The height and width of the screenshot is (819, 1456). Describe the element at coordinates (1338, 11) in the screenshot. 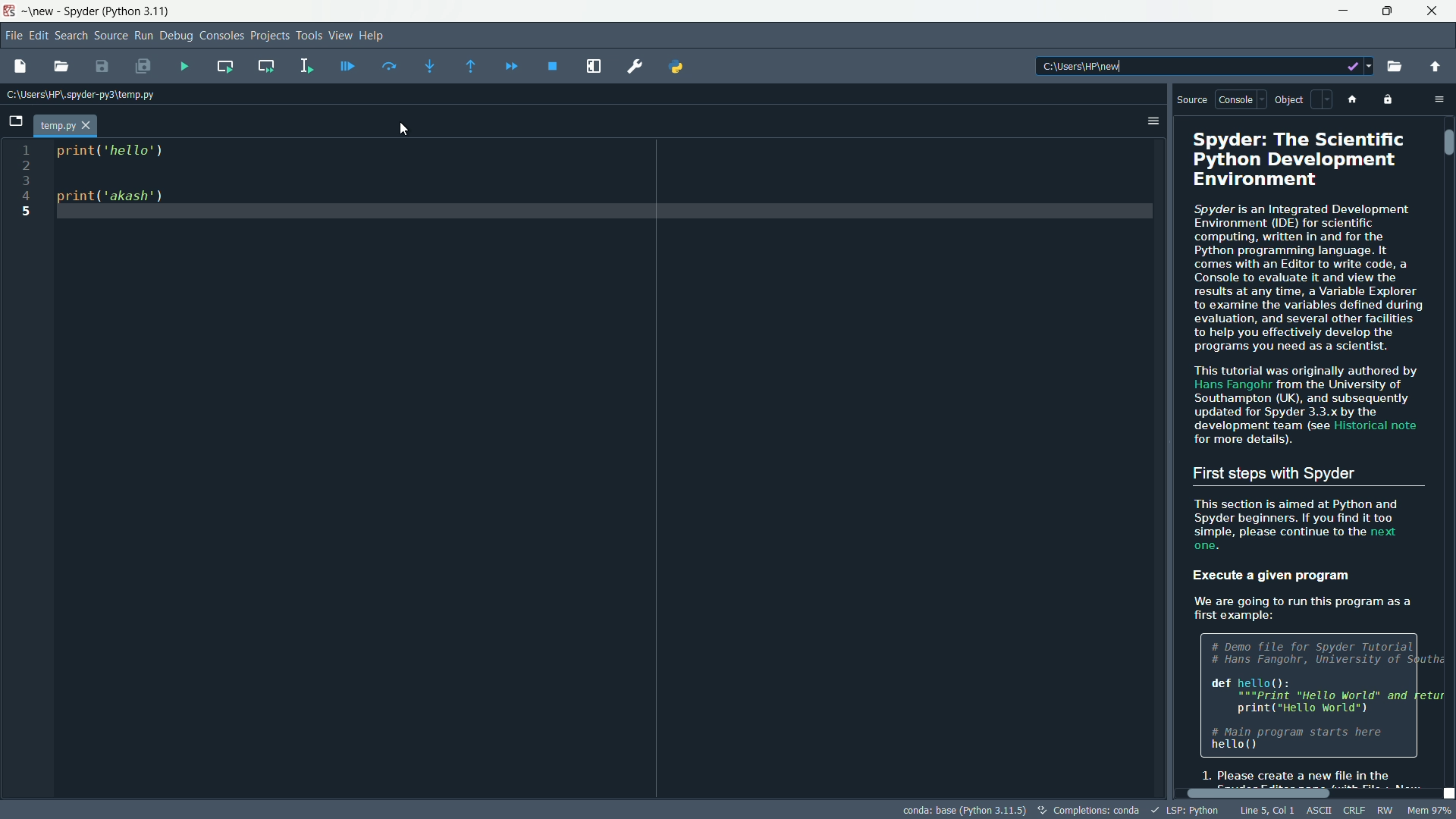

I see `minimize` at that location.